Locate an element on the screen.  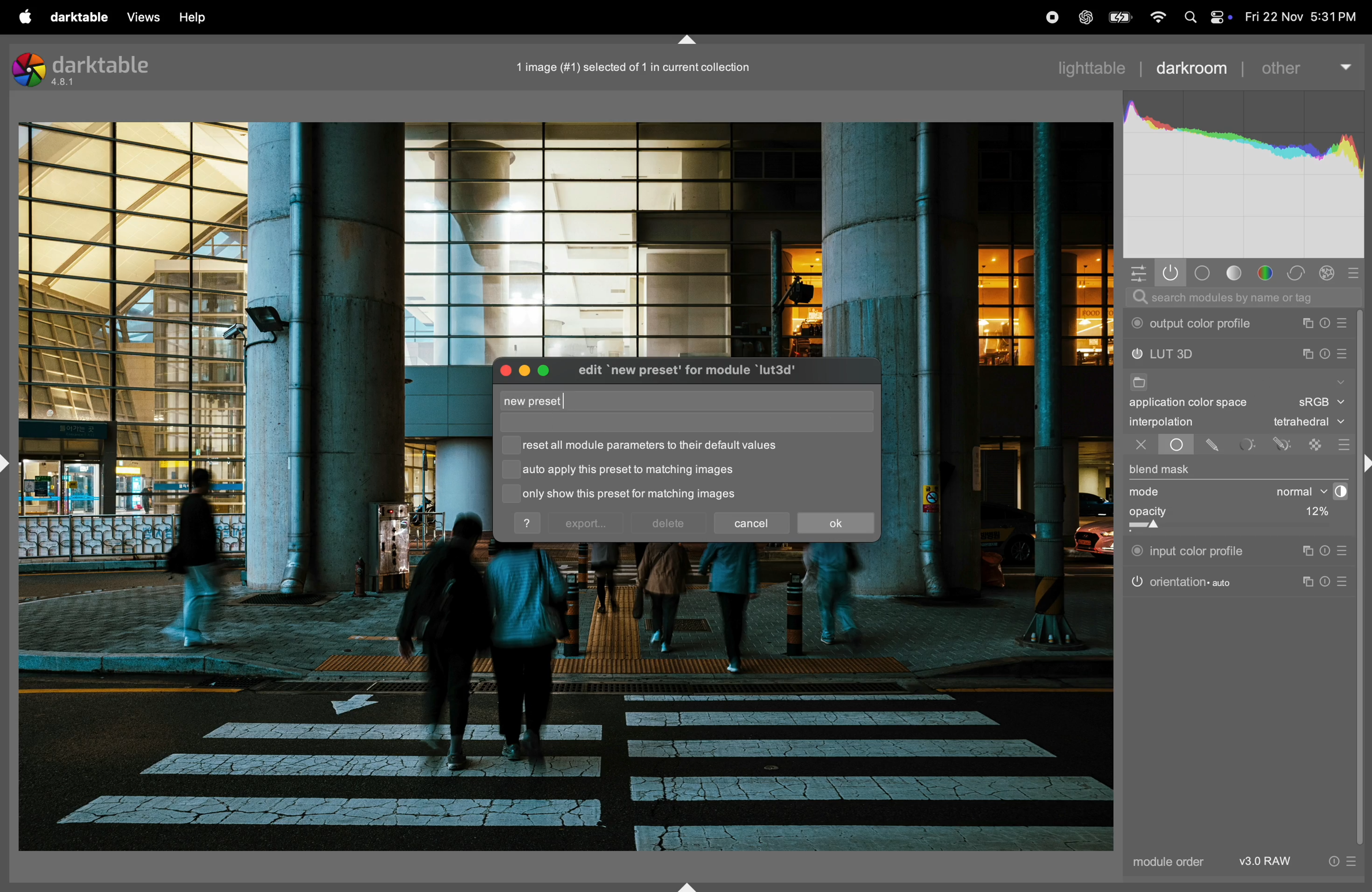
module order is located at coordinates (1165, 863).